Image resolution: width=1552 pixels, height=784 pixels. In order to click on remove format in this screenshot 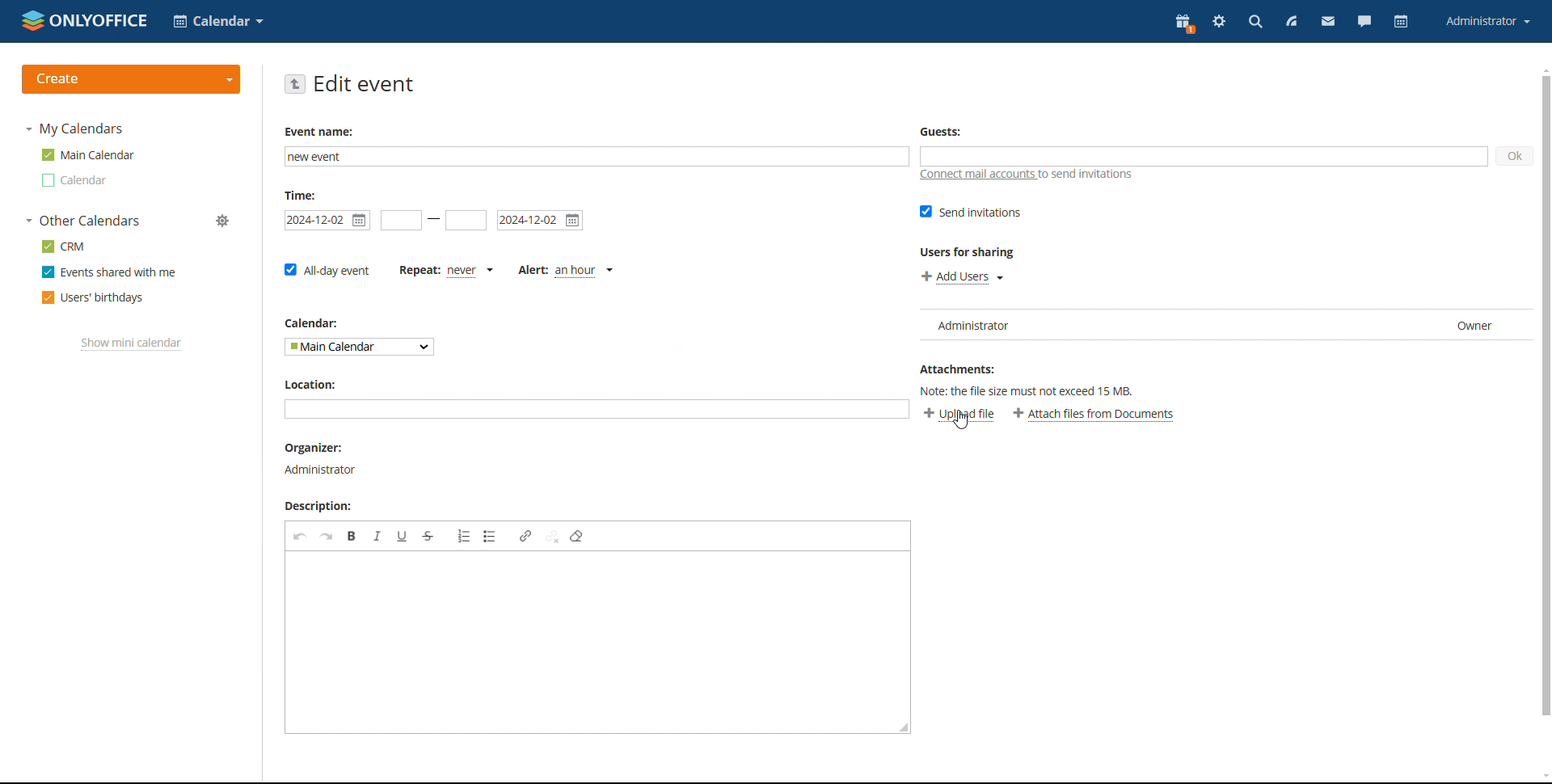, I will do `click(576, 537)`.